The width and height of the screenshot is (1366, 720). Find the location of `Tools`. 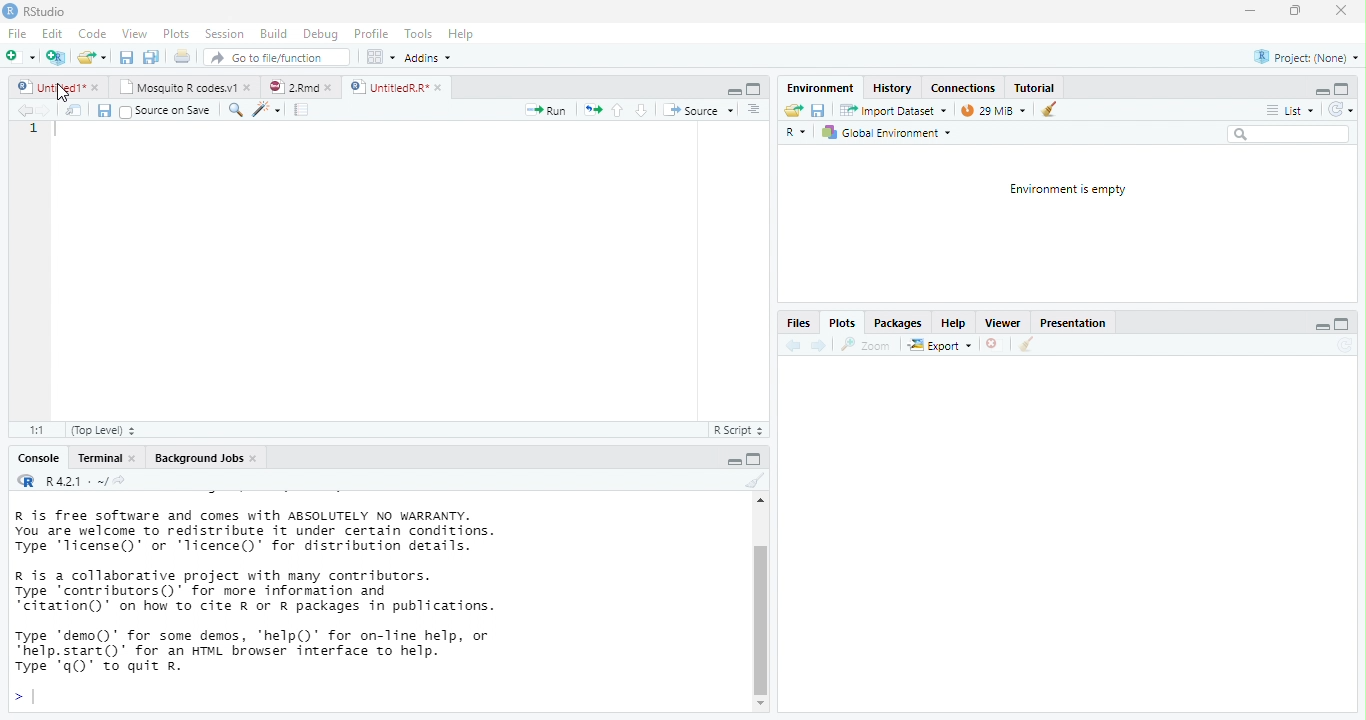

Tools is located at coordinates (419, 33).